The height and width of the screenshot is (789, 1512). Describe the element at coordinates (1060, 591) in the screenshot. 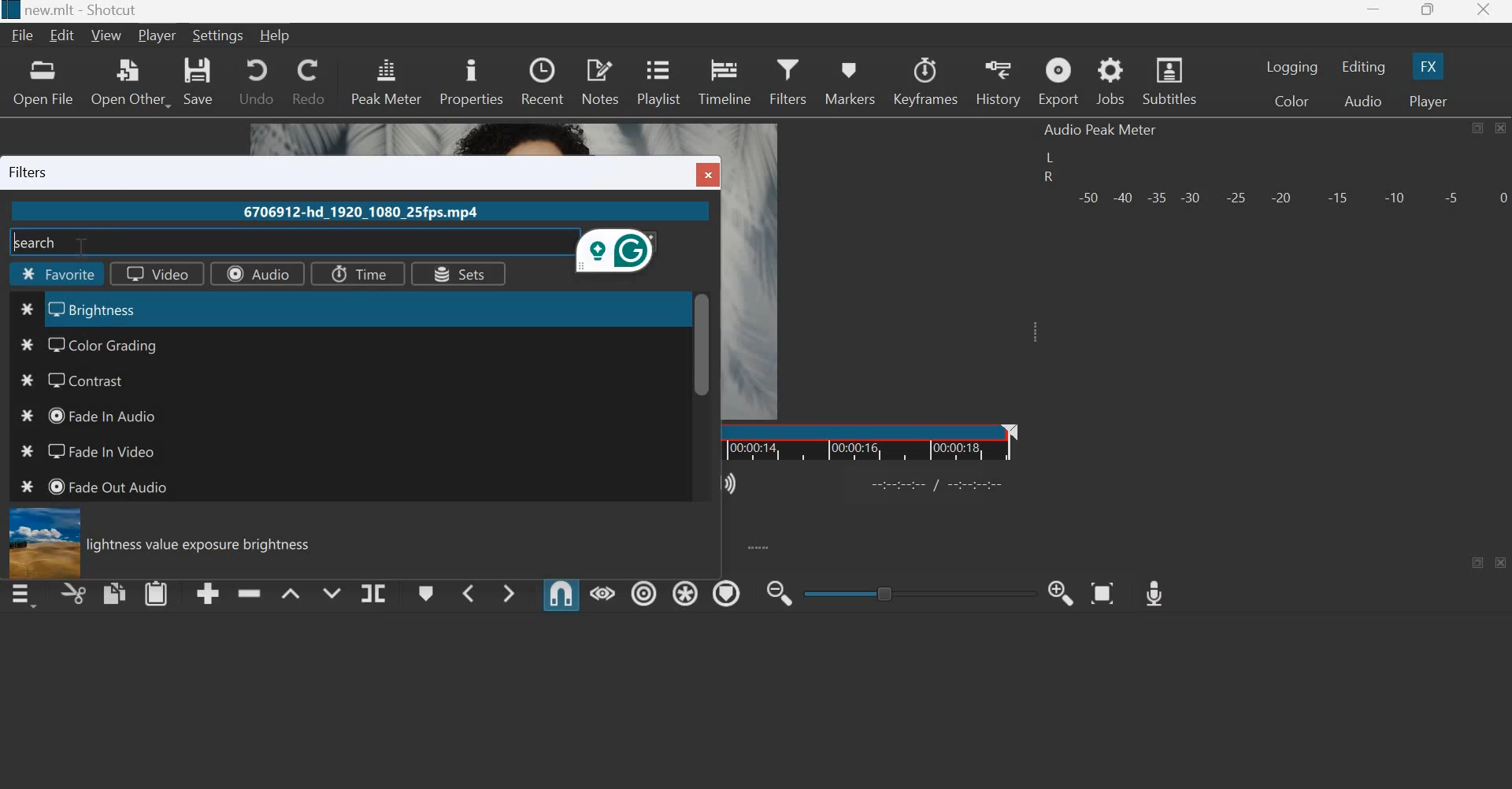

I see ` Zoom Timeline in` at that location.